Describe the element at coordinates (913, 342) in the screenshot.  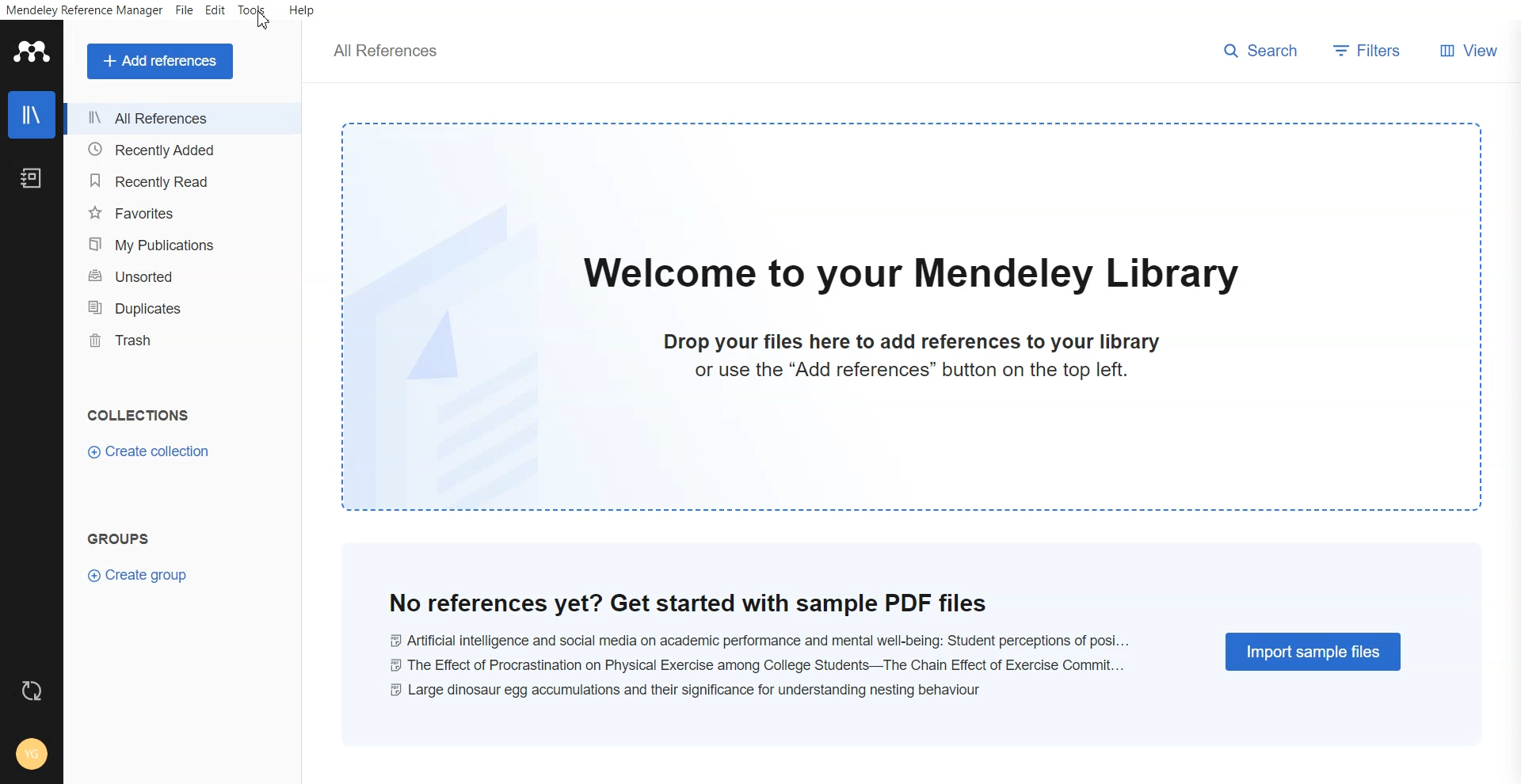
I see `drop your files here to add references to your library` at that location.